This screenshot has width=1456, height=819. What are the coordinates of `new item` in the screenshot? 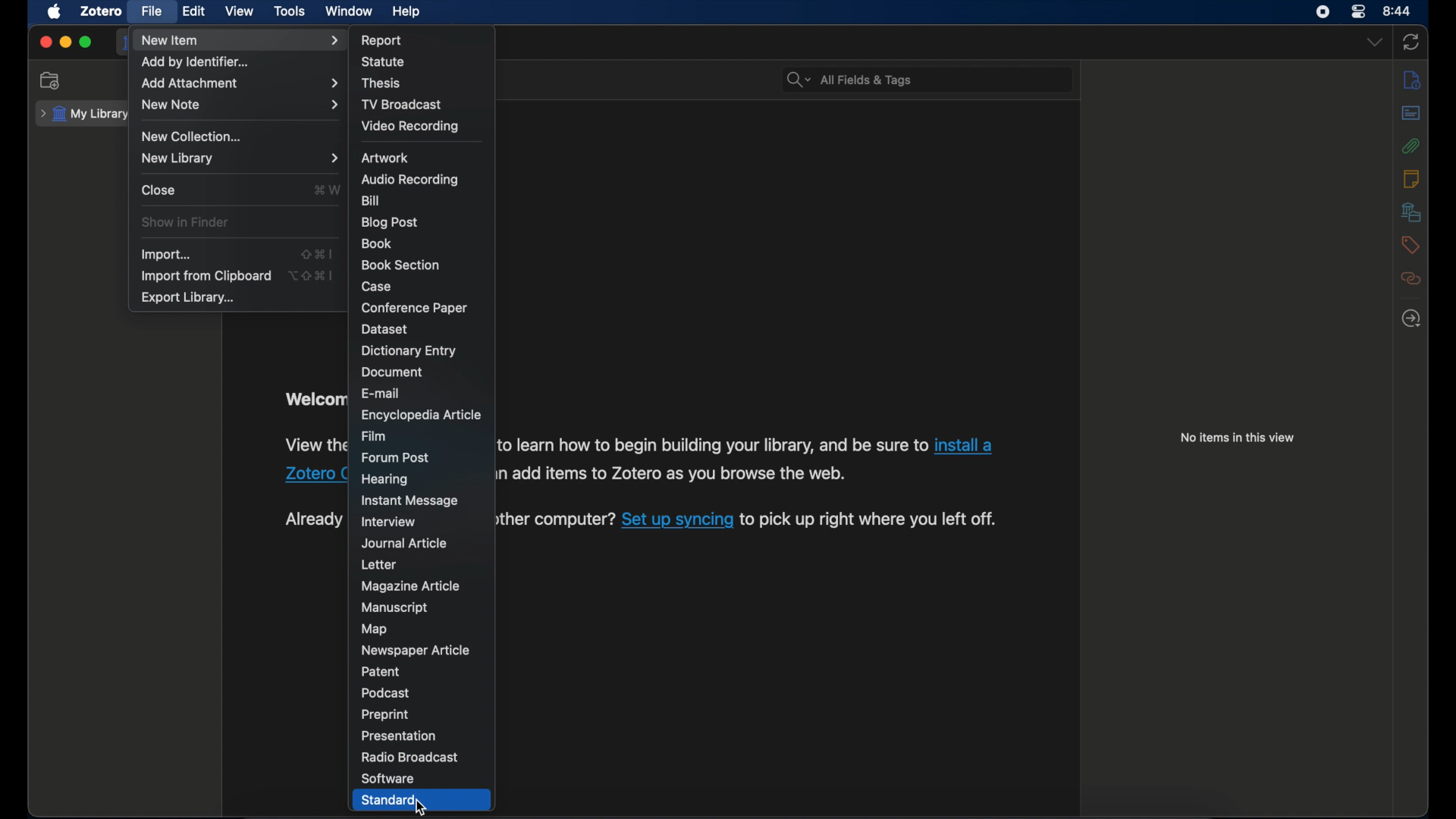 It's located at (238, 39).